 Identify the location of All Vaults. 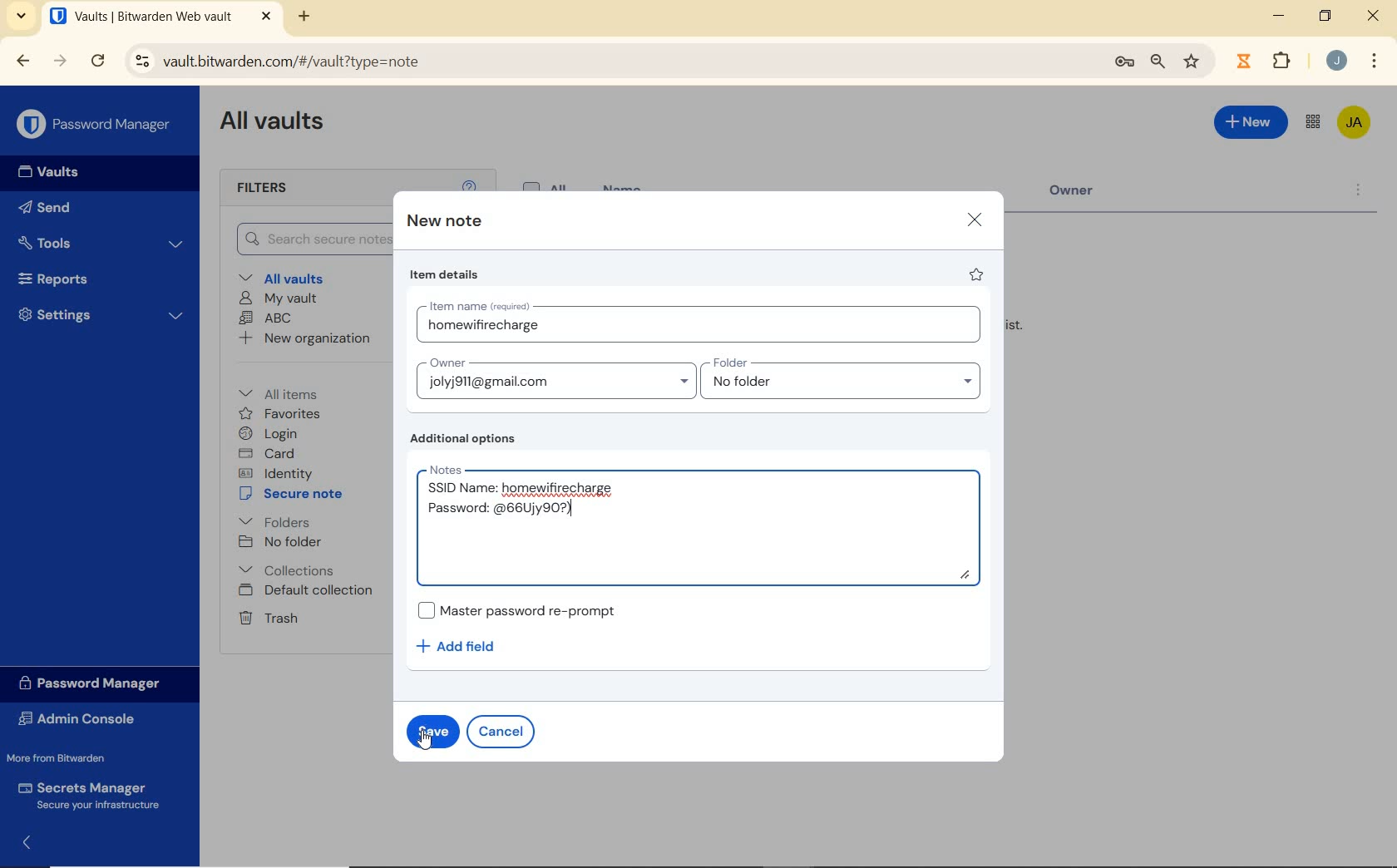
(273, 124).